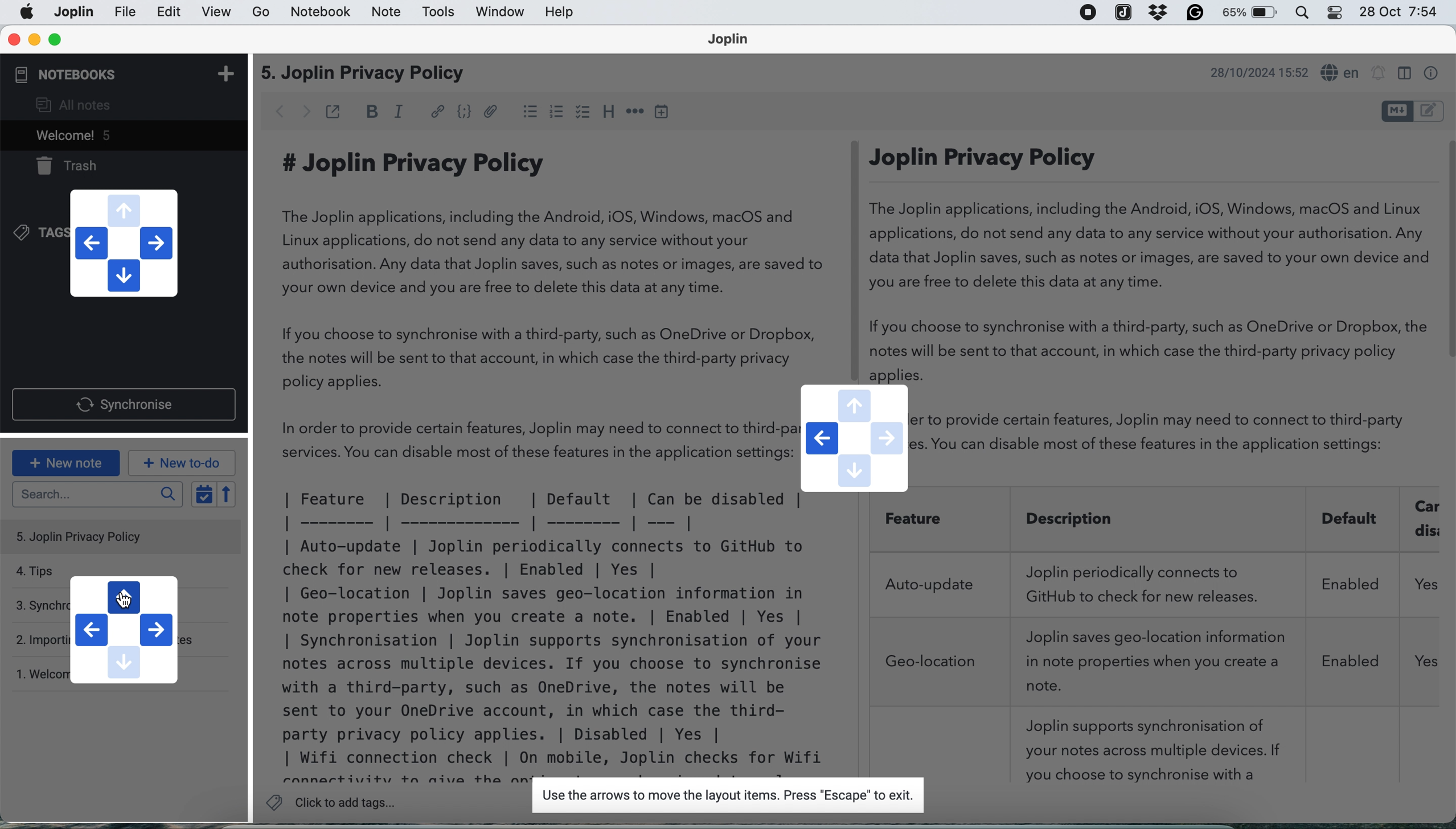  What do you see at coordinates (216, 13) in the screenshot?
I see `view` at bounding box center [216, 13].